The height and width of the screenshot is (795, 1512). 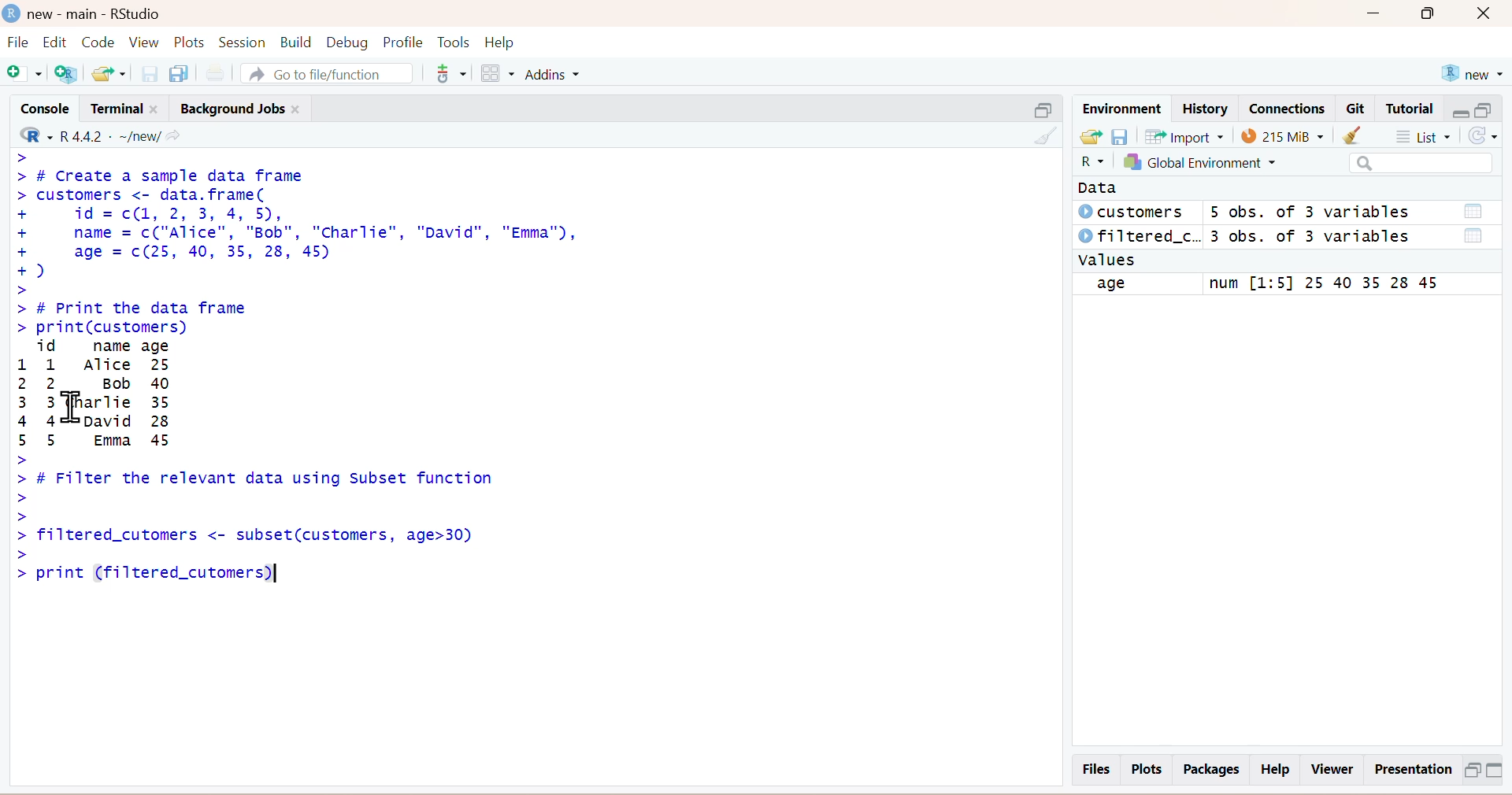 What do you see at coordinates (1283, 135) in the screenshot?
I see `107 MB` at bounding box center [1283, 135].